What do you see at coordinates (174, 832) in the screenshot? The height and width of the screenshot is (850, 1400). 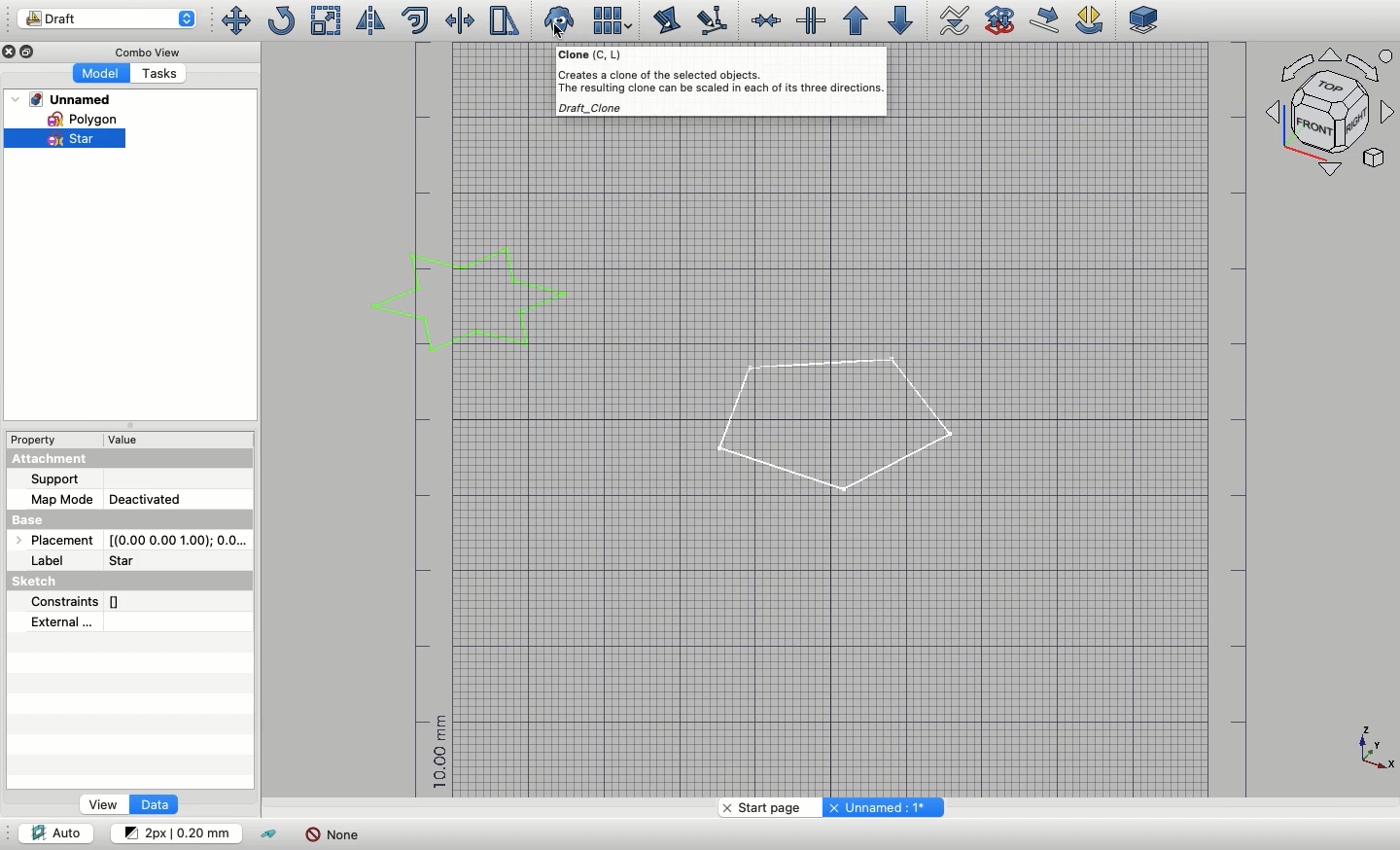 I see `Change default style for new objects` at bounding box center [174, 832].